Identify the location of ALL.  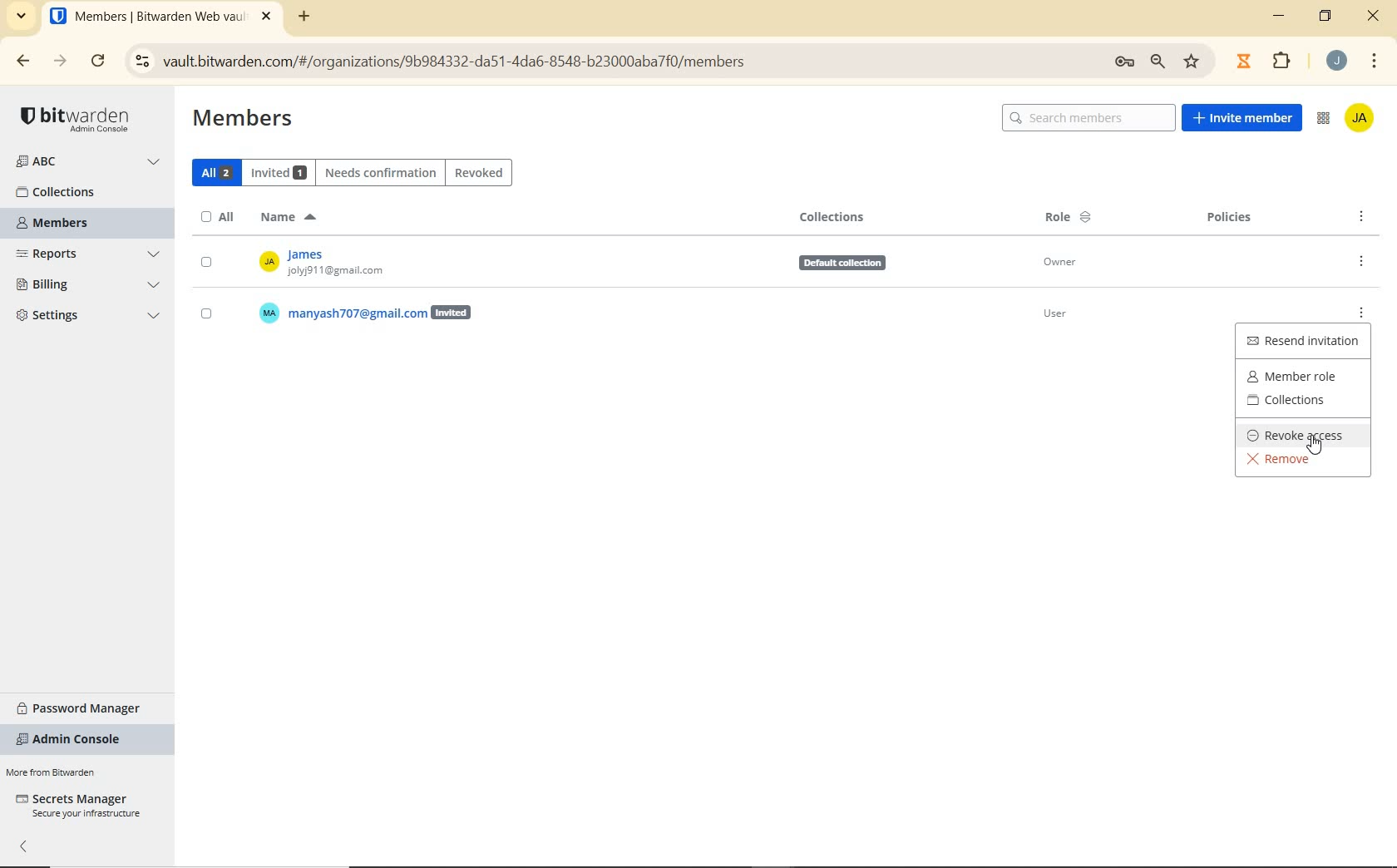
(214, 171).